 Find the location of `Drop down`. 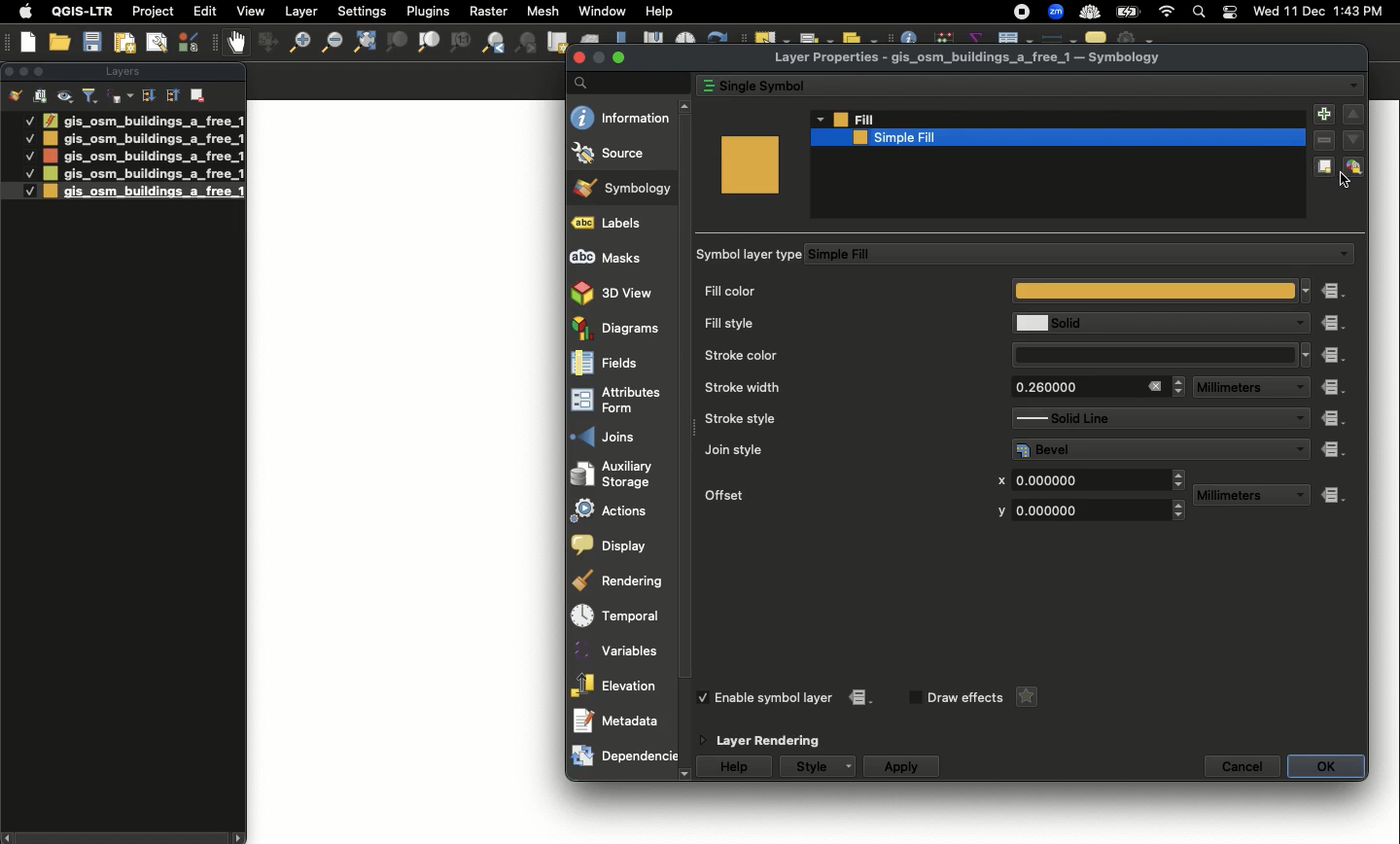

Drop down is located at coordinates (1180, 511).